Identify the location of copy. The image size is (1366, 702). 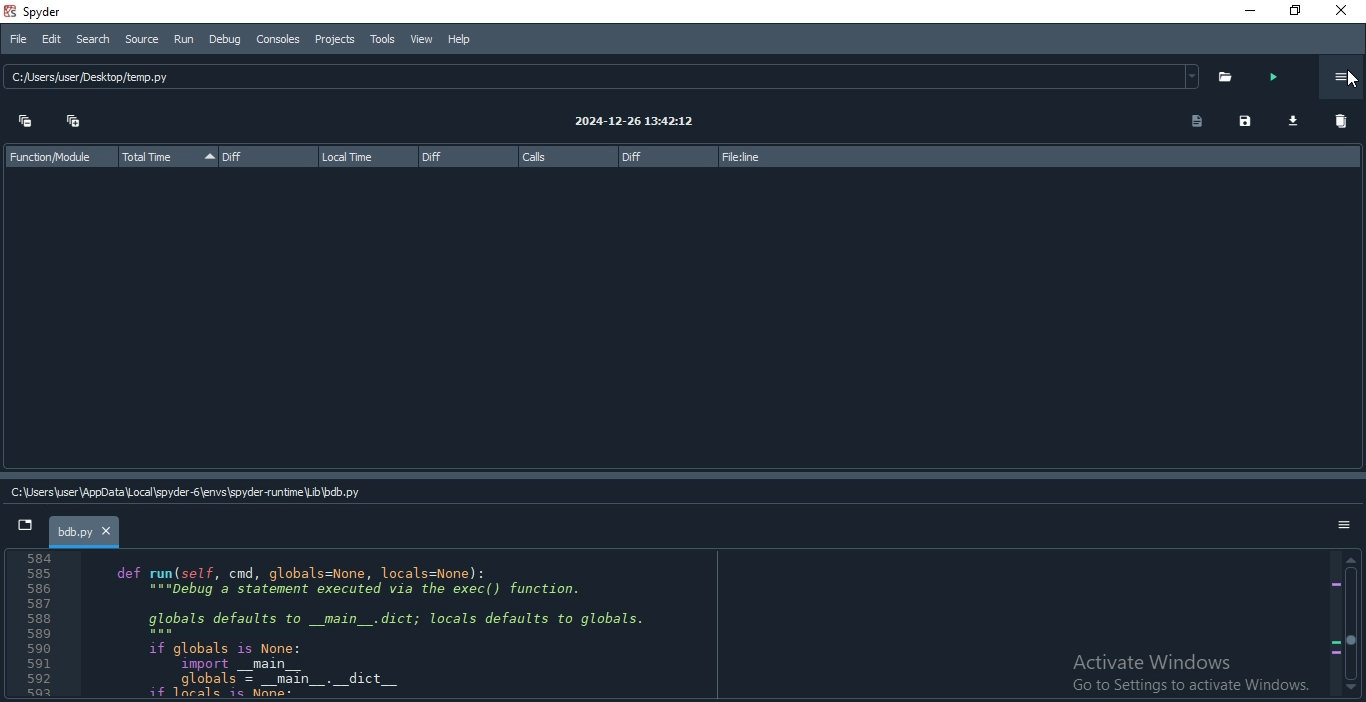
(1191, 121).